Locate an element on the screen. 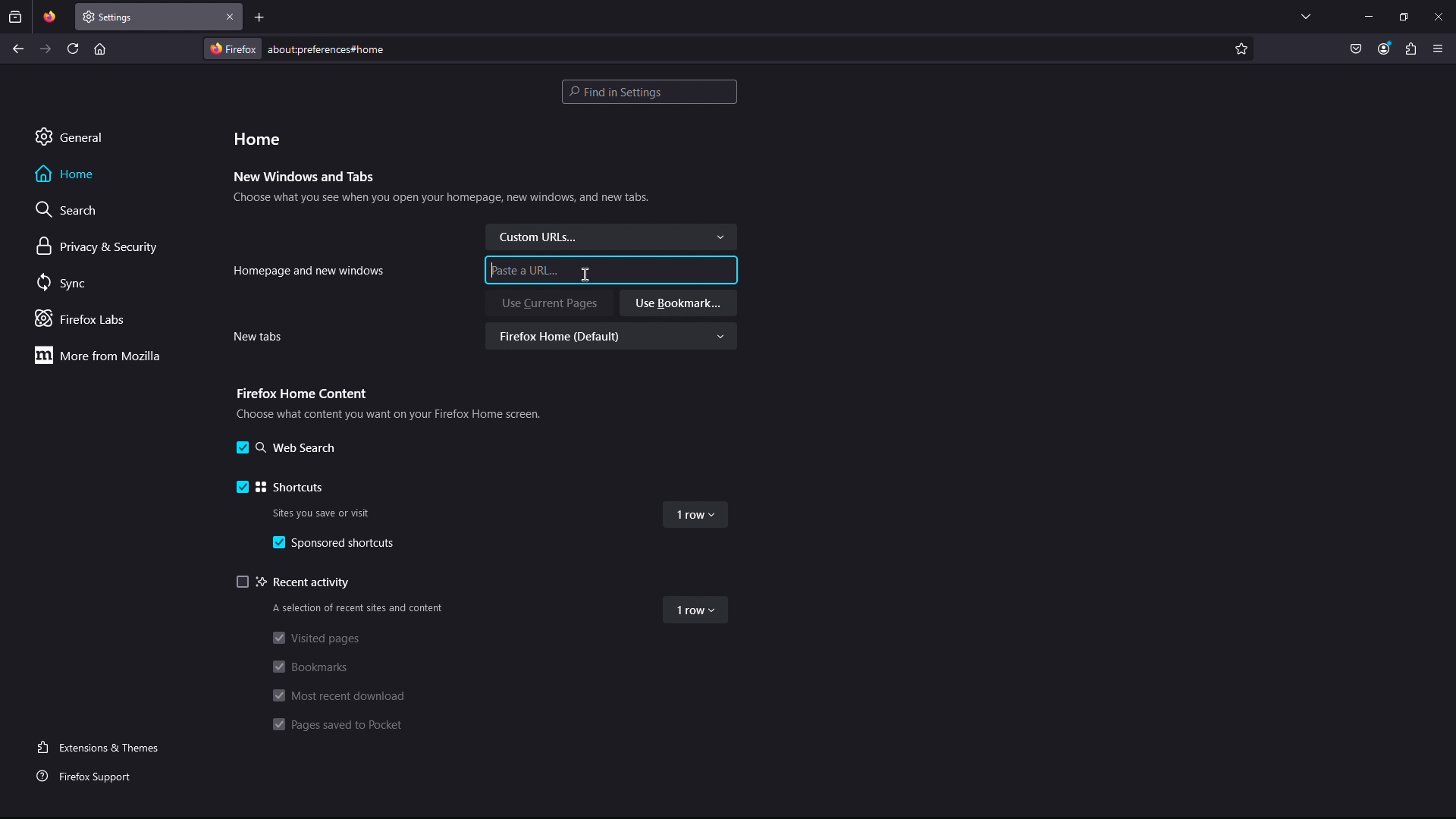  Past browsing is located at coordinates (15, 17).